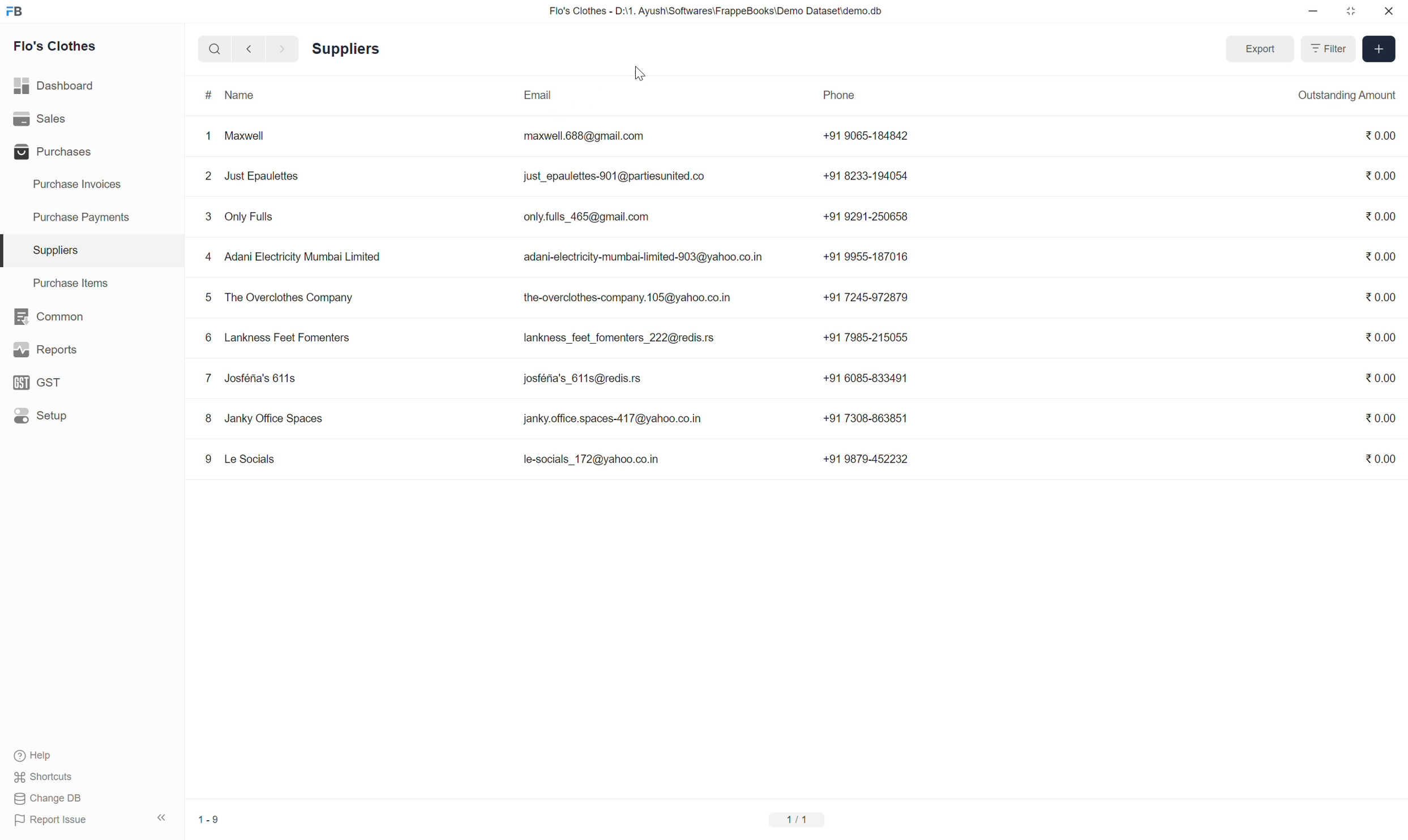 Image resolution: width=1408 pixels, height=840 pixels. I want to click on 0.00, so click(1380, 215).